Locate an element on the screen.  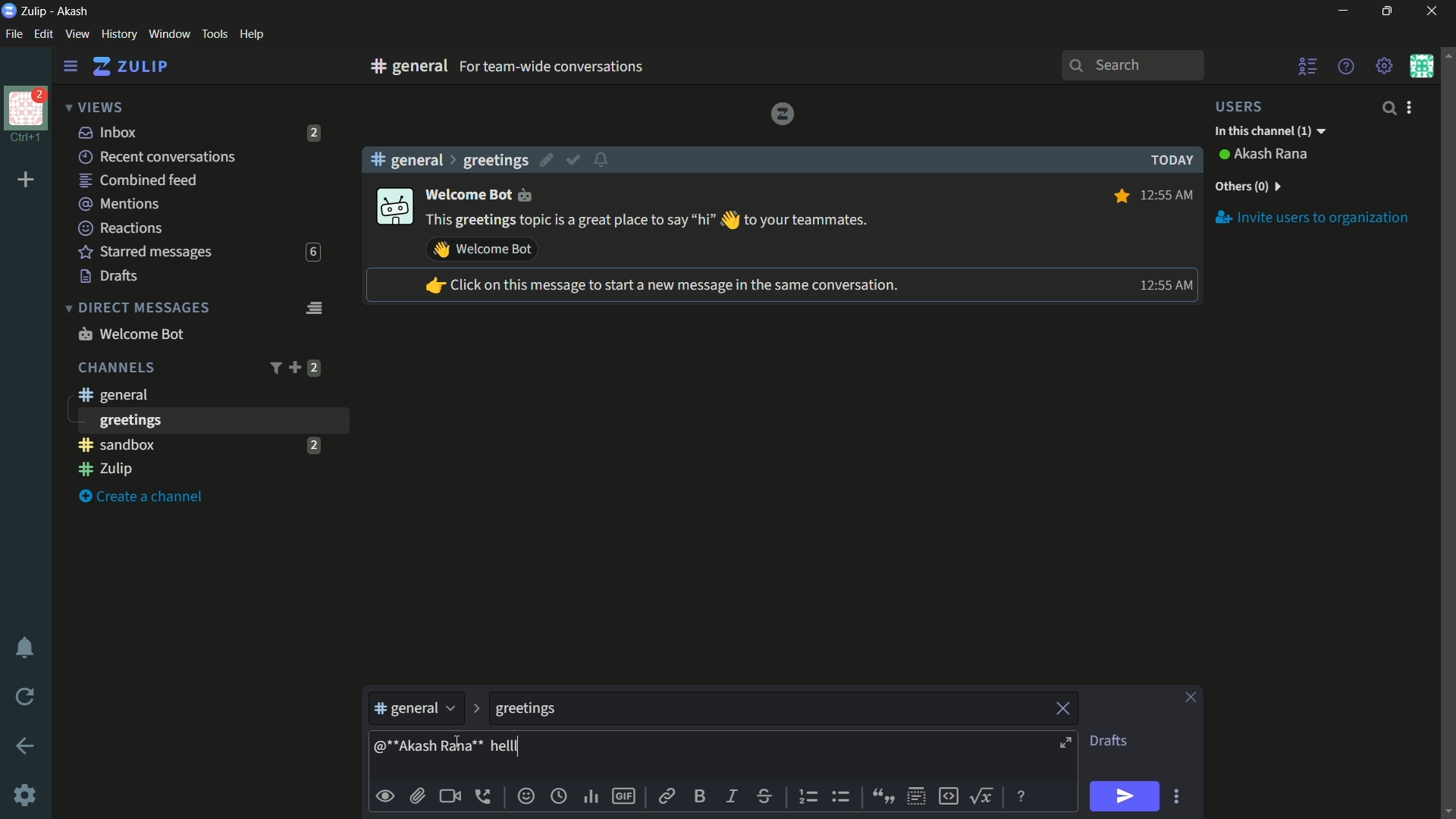
2 unread messages is located at coordinates (314, 368).